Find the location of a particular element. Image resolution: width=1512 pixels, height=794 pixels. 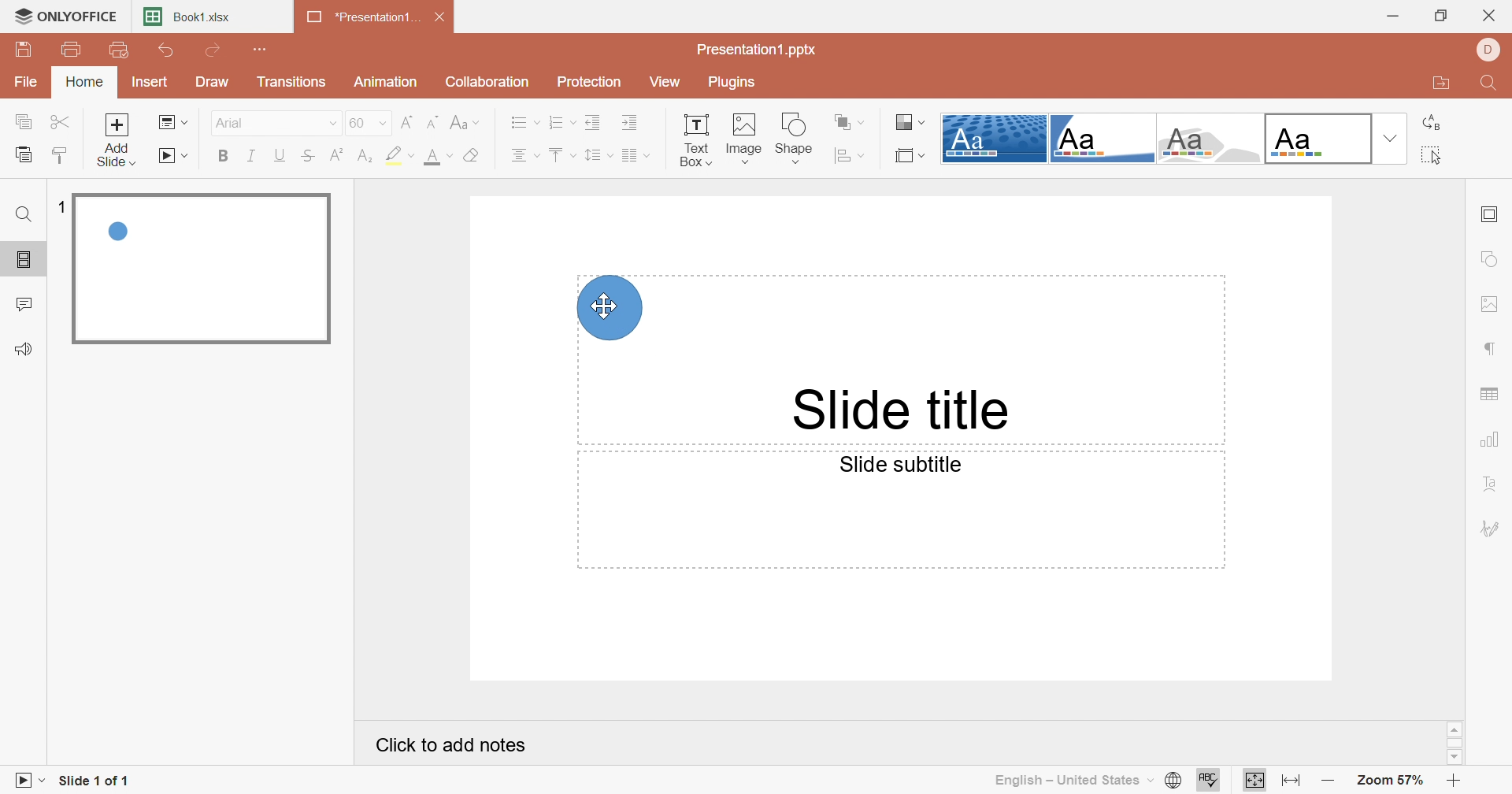

Slide title is located at coordinates (903, 410).